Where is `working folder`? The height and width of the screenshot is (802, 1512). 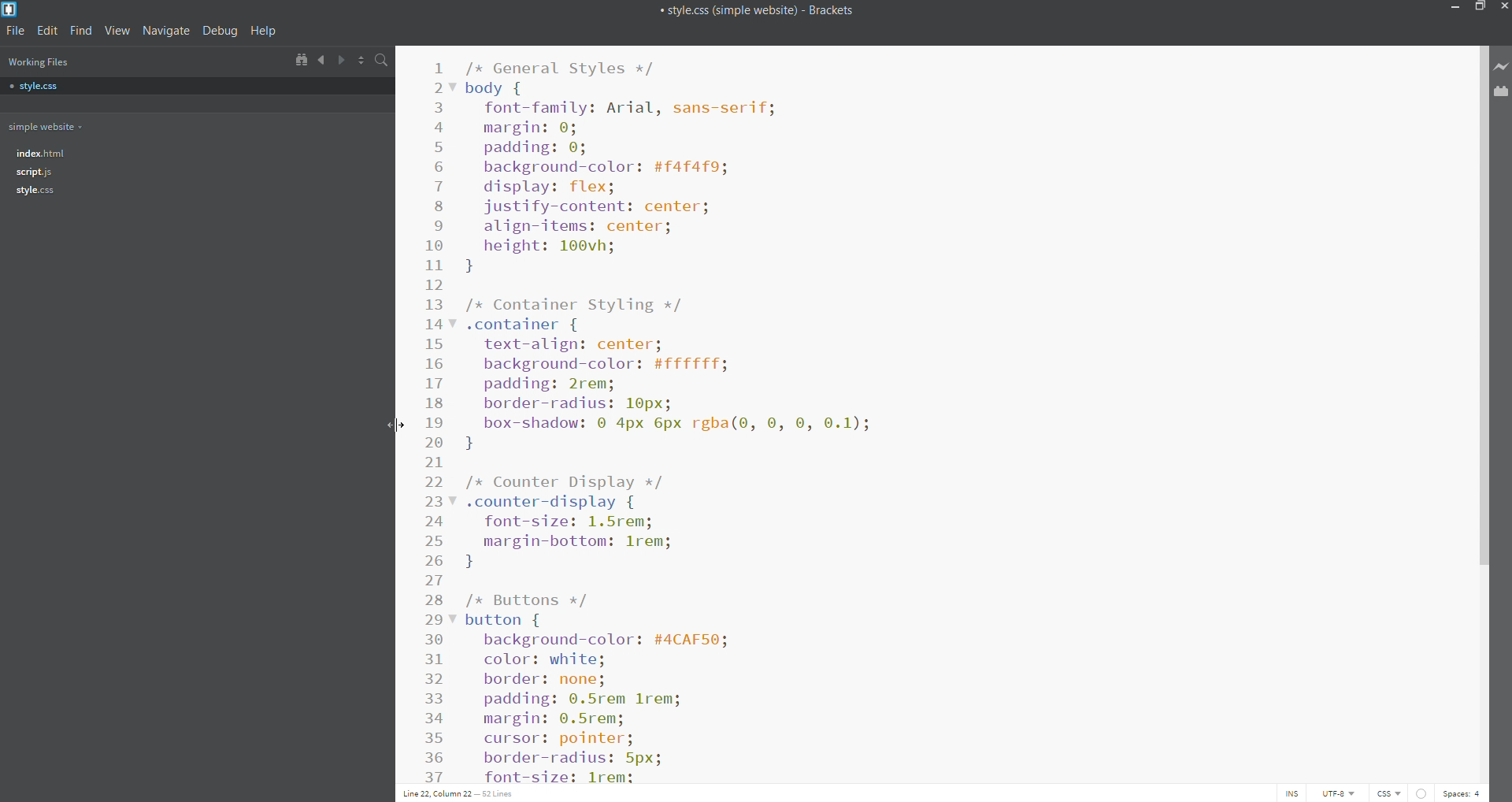
working folder is located at coordinates (115, 125).